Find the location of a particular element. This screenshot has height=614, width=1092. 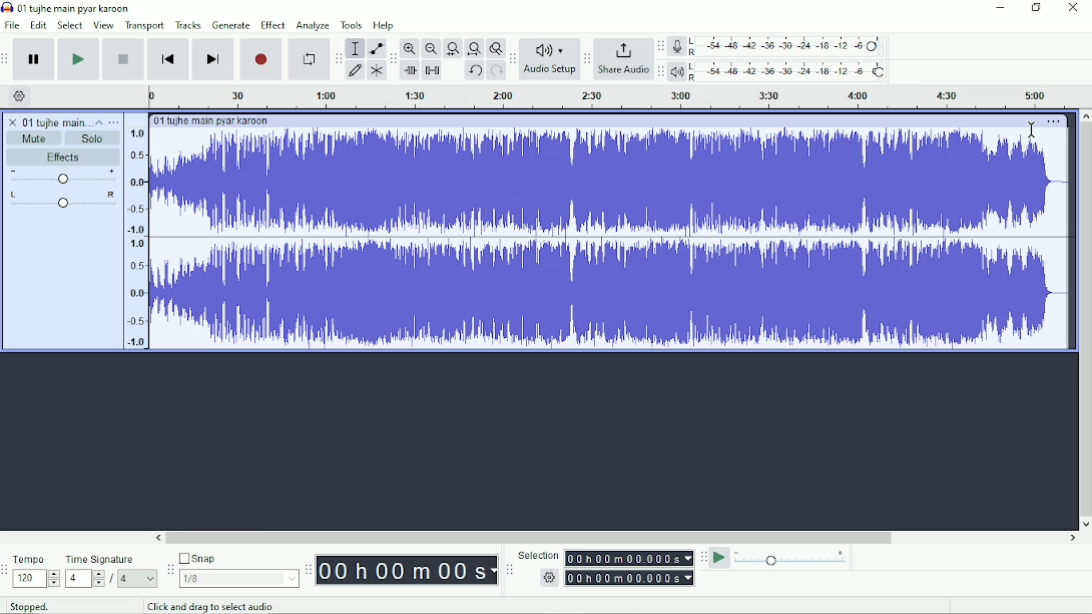

Transport is located at coordinates (144, 27).